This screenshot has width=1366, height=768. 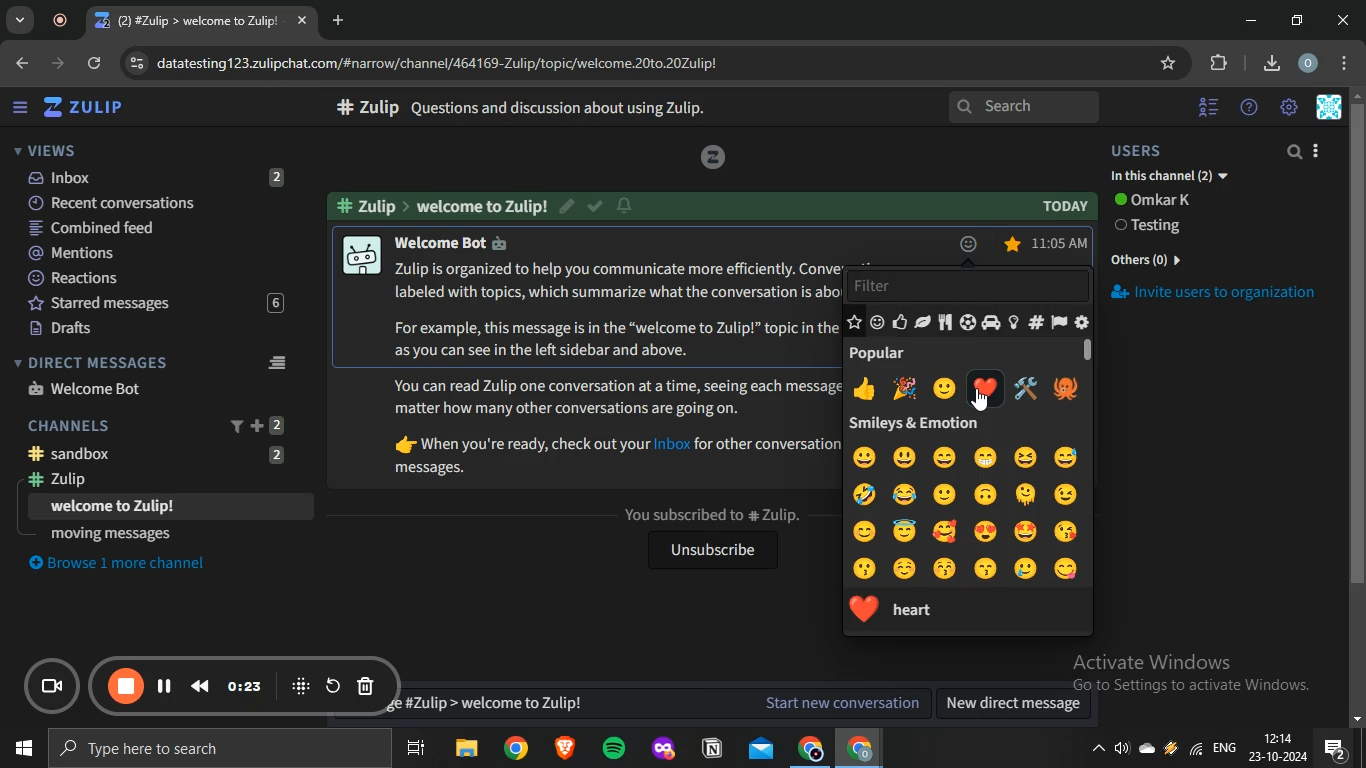 What do you see at coordinates (1063, 389) in the screenshot?
I see `octopus` at bounding box center [1063, 389].